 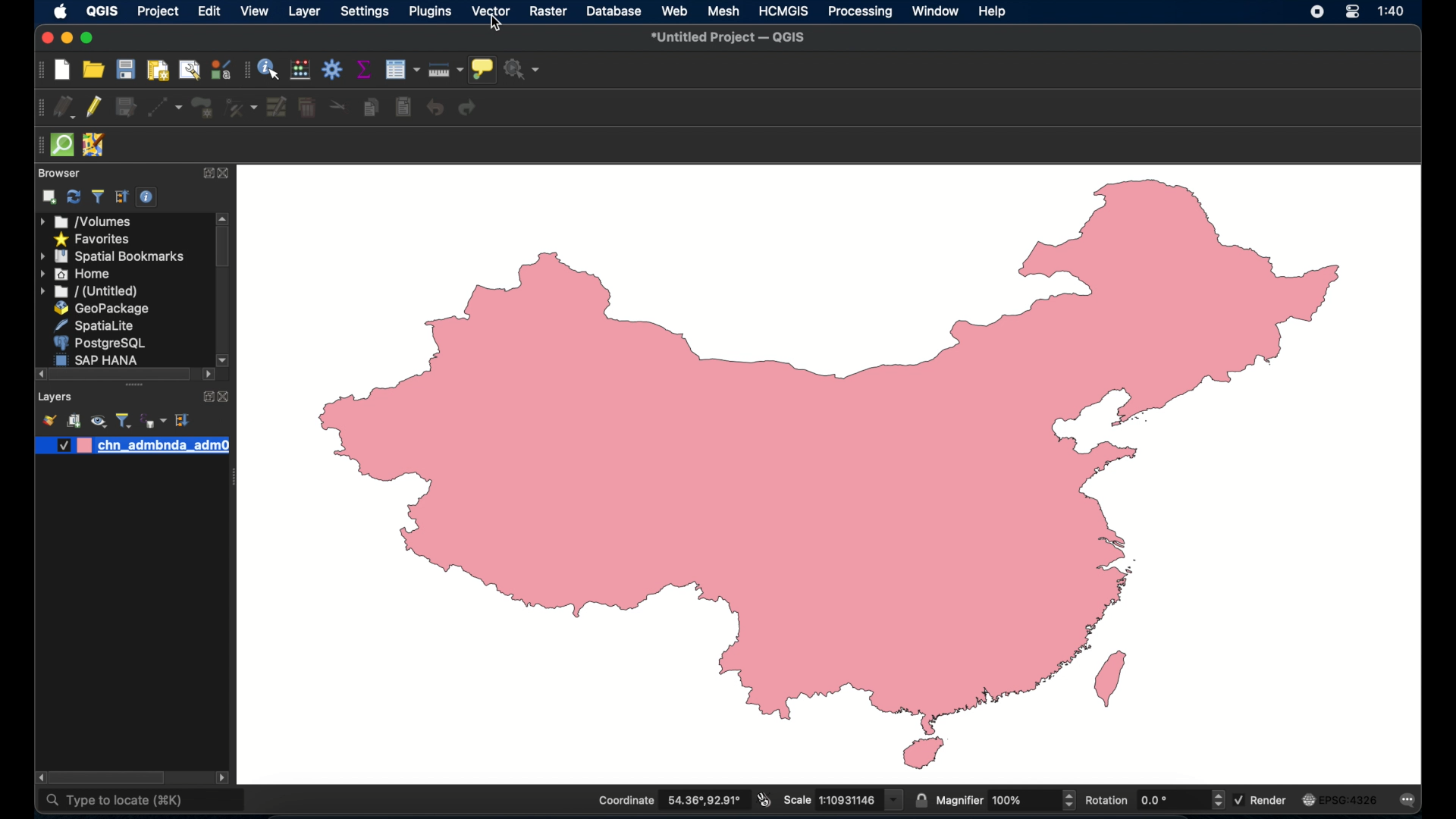 I want to click on untitled menu, so click(x=89, y=292).